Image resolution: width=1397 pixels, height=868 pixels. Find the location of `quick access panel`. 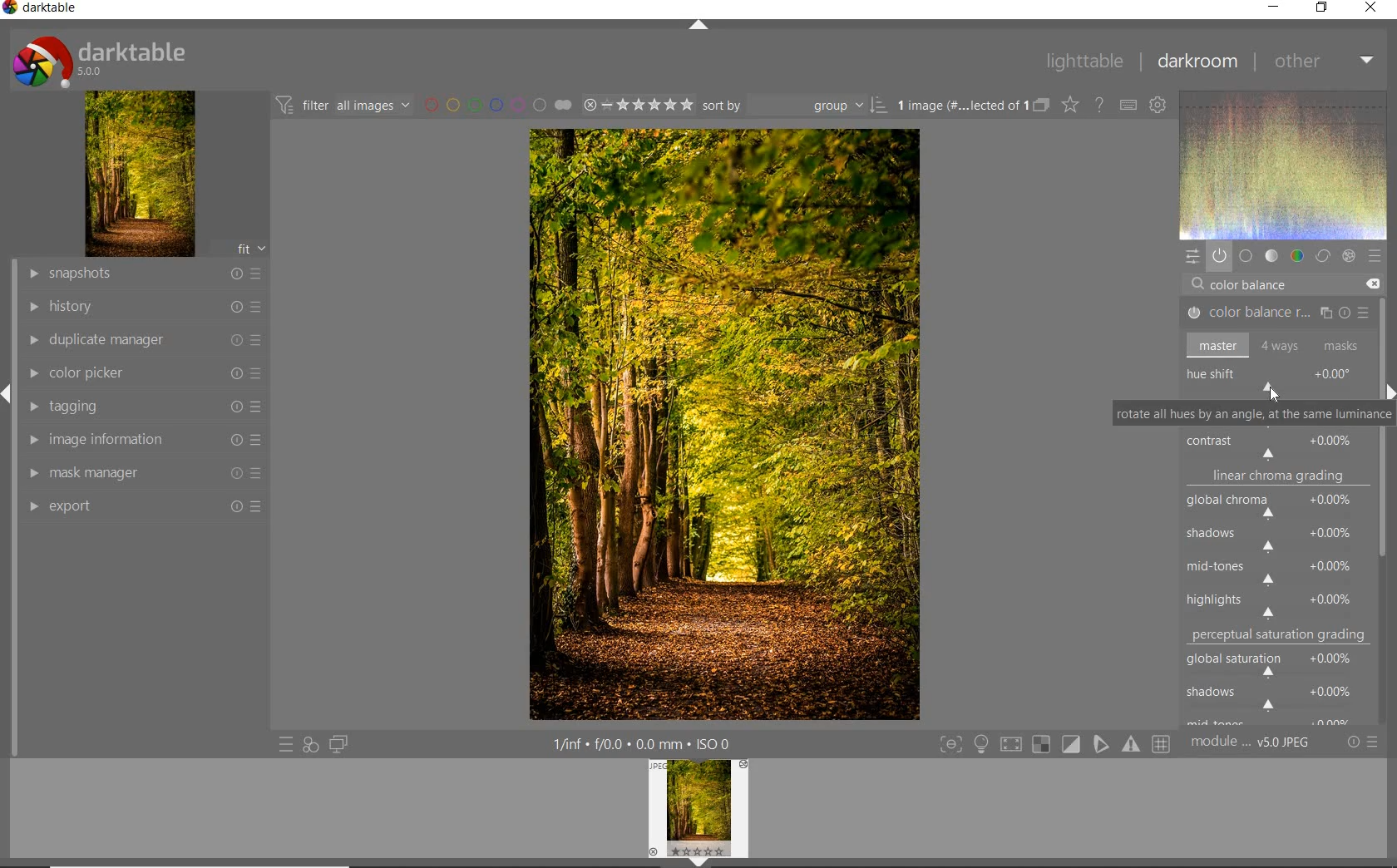

quick access panel is located at coordinates (1190, 256).